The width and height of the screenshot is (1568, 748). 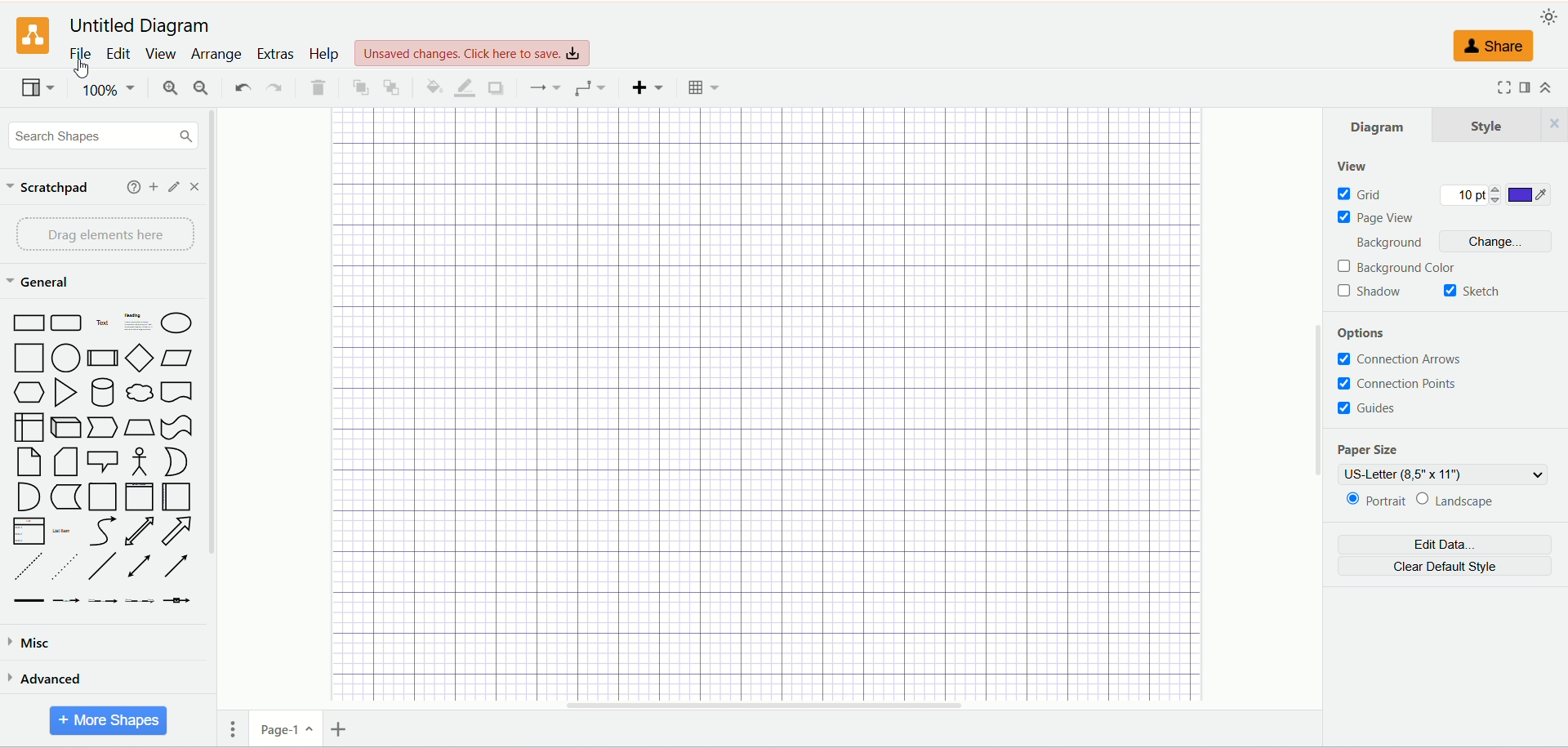 What do you see at coordinates (65, 567) in the screenshot?
I see `Dotted Line` at bounding box center [65, 567].